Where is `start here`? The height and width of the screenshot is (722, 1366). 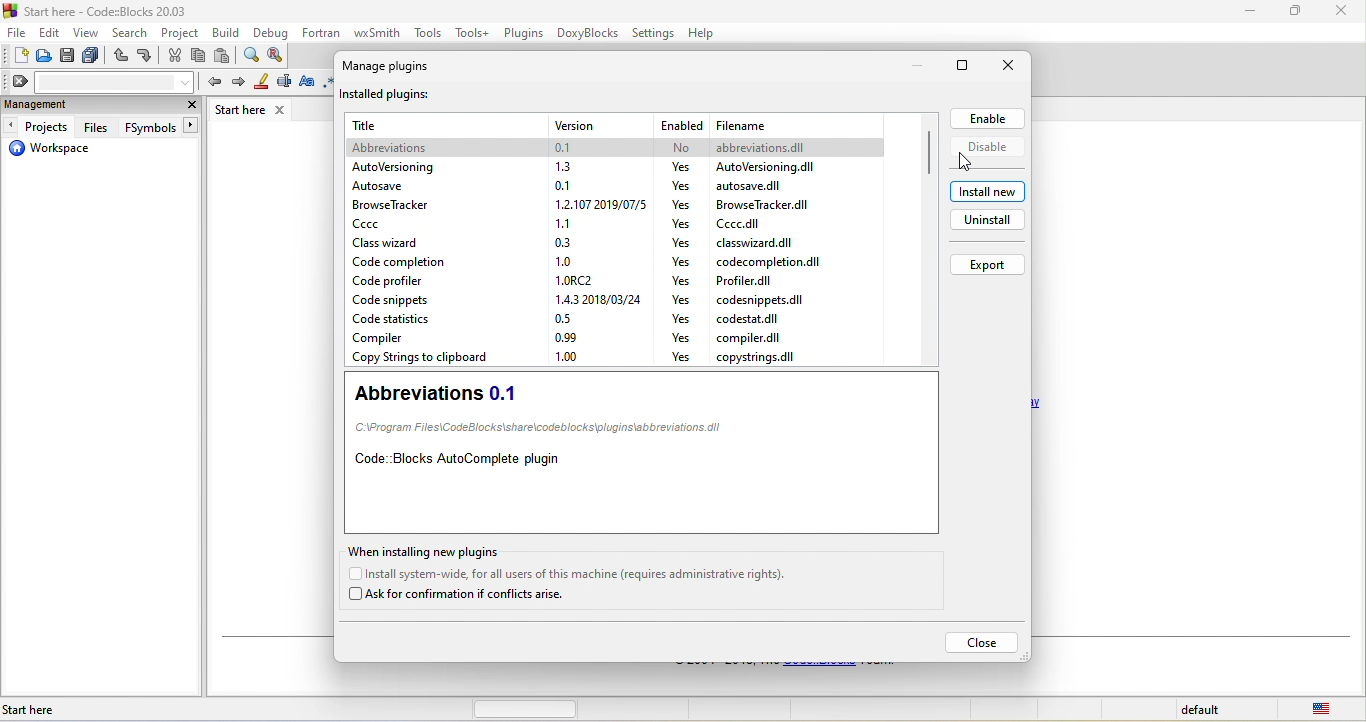
start here is located at coordinates (124, 708).